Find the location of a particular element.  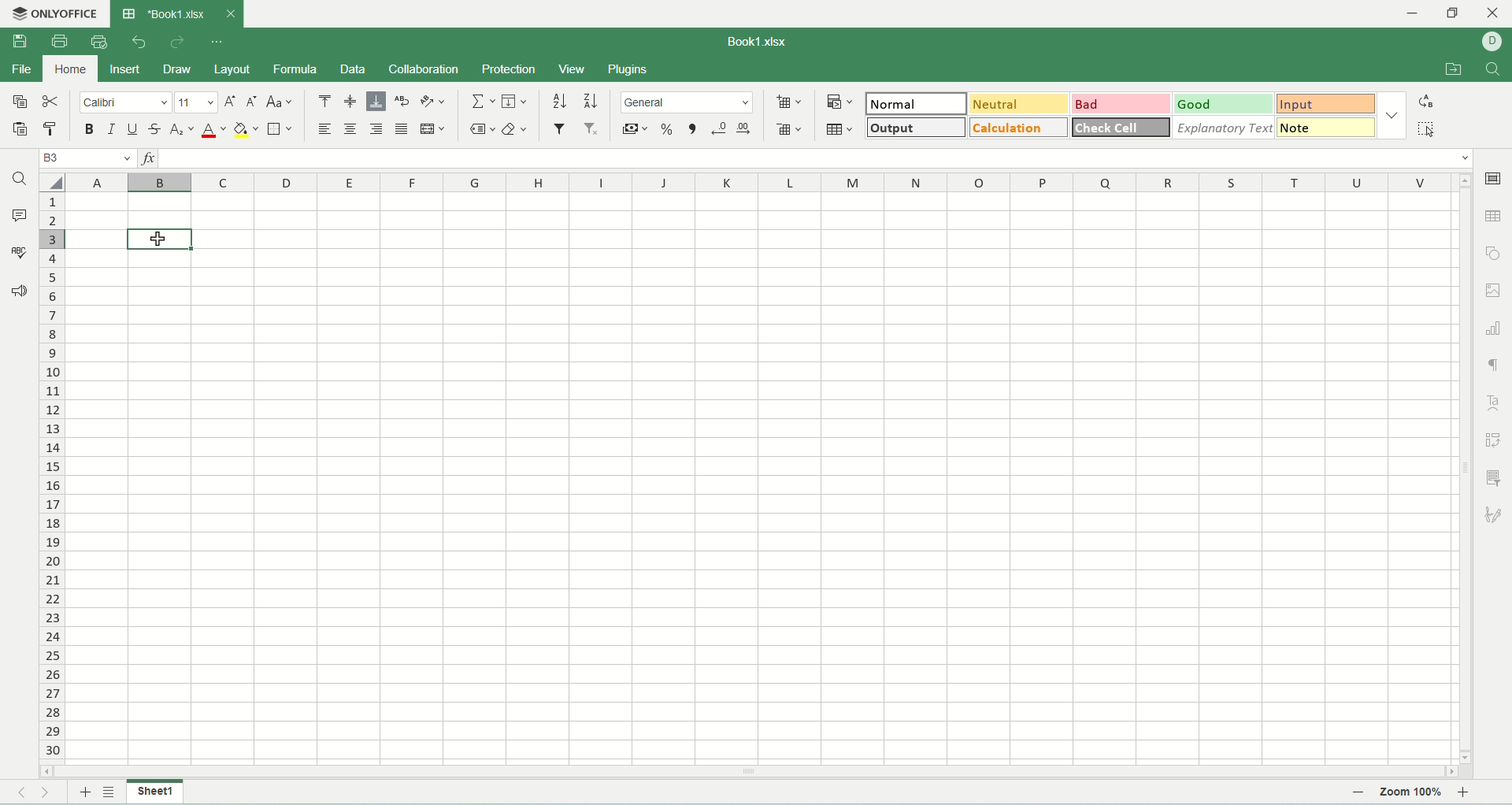

plugins is located at coordinates (628, 70).